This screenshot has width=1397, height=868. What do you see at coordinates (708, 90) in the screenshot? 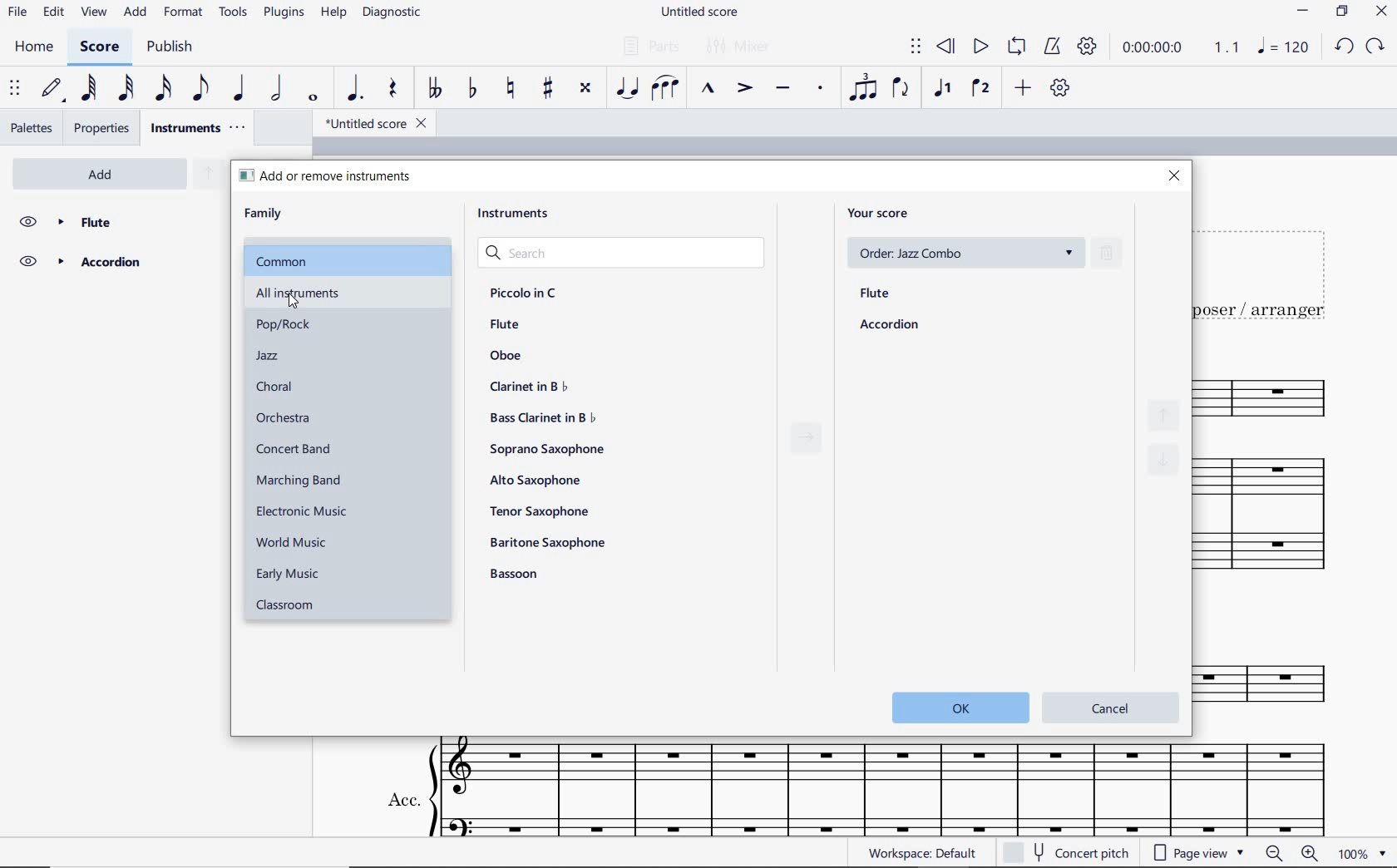
I see `marcato` at bounding box center [708, 90].